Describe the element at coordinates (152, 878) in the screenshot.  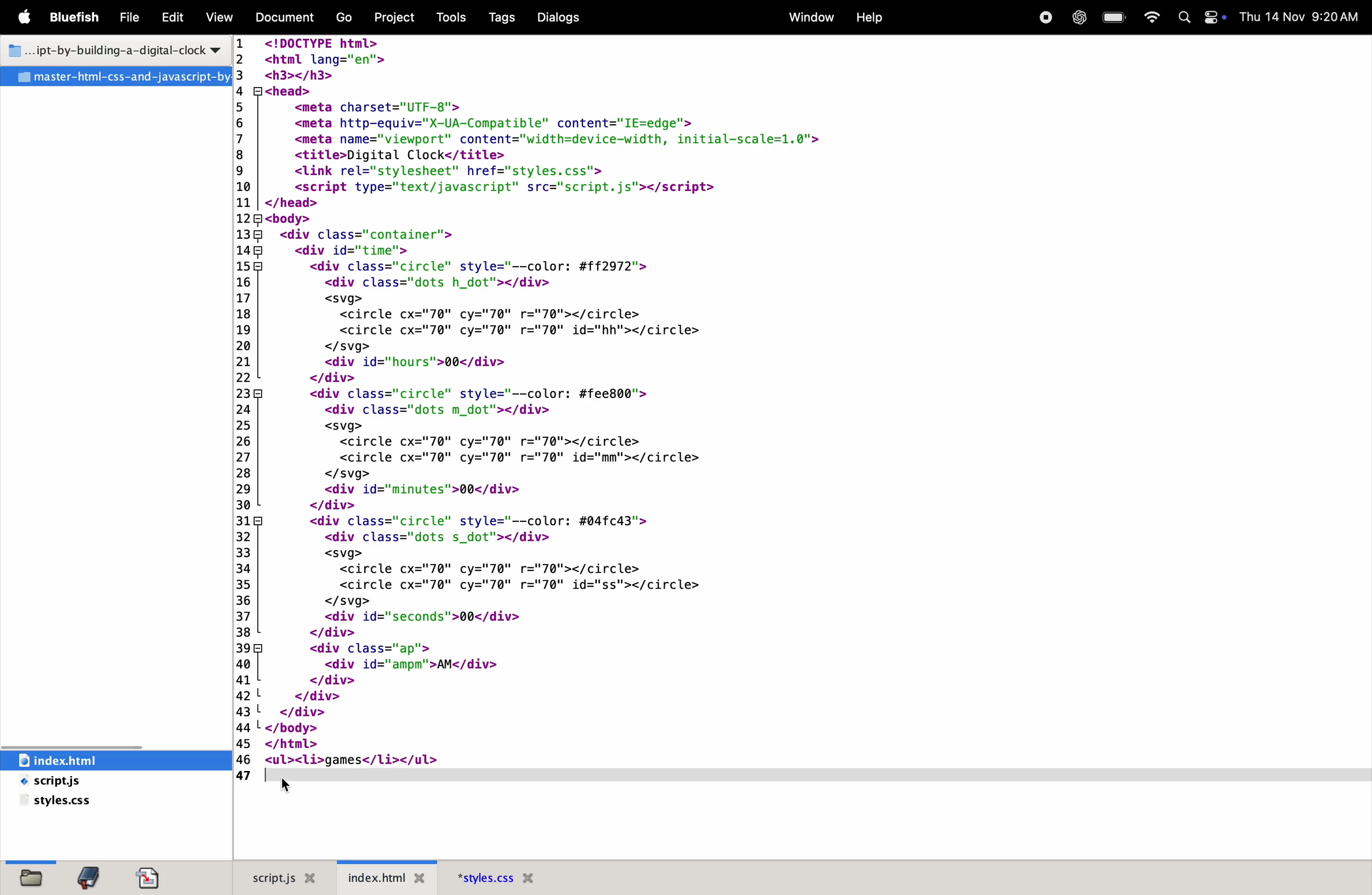
I see `document` at that location.